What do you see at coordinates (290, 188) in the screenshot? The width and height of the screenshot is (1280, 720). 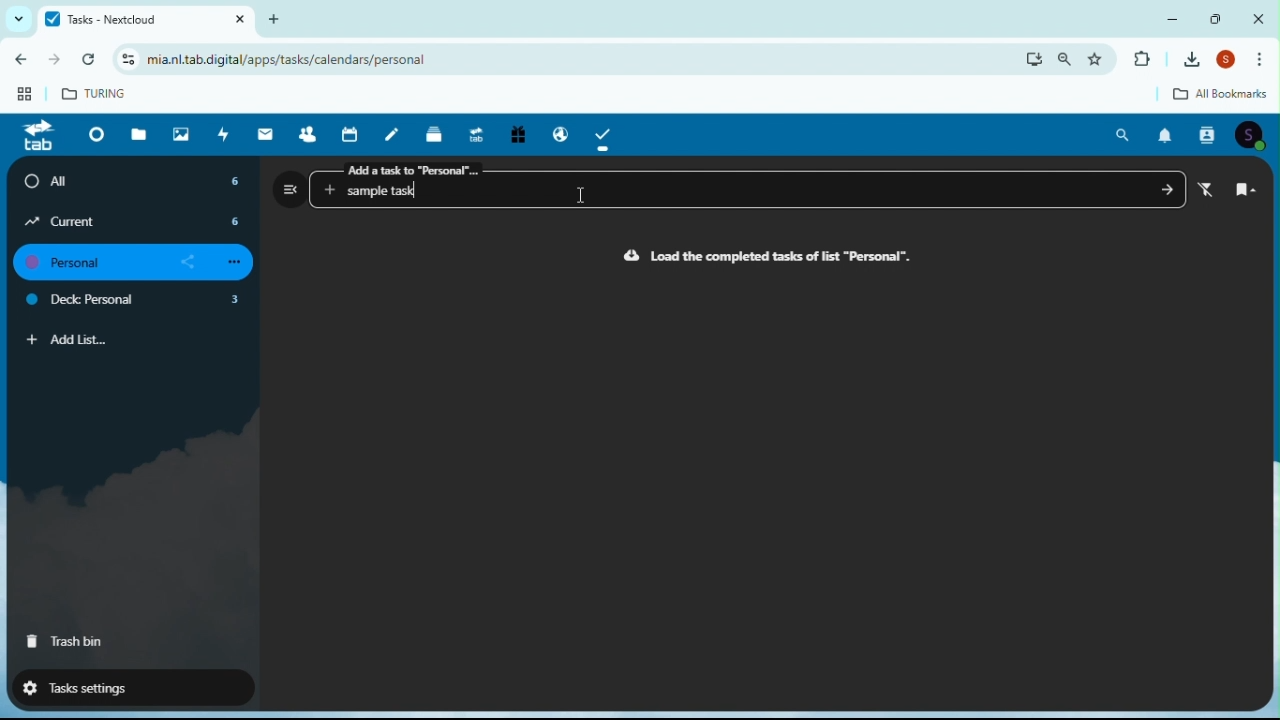 I see `Close navigation` at bounding box center [290, 188].